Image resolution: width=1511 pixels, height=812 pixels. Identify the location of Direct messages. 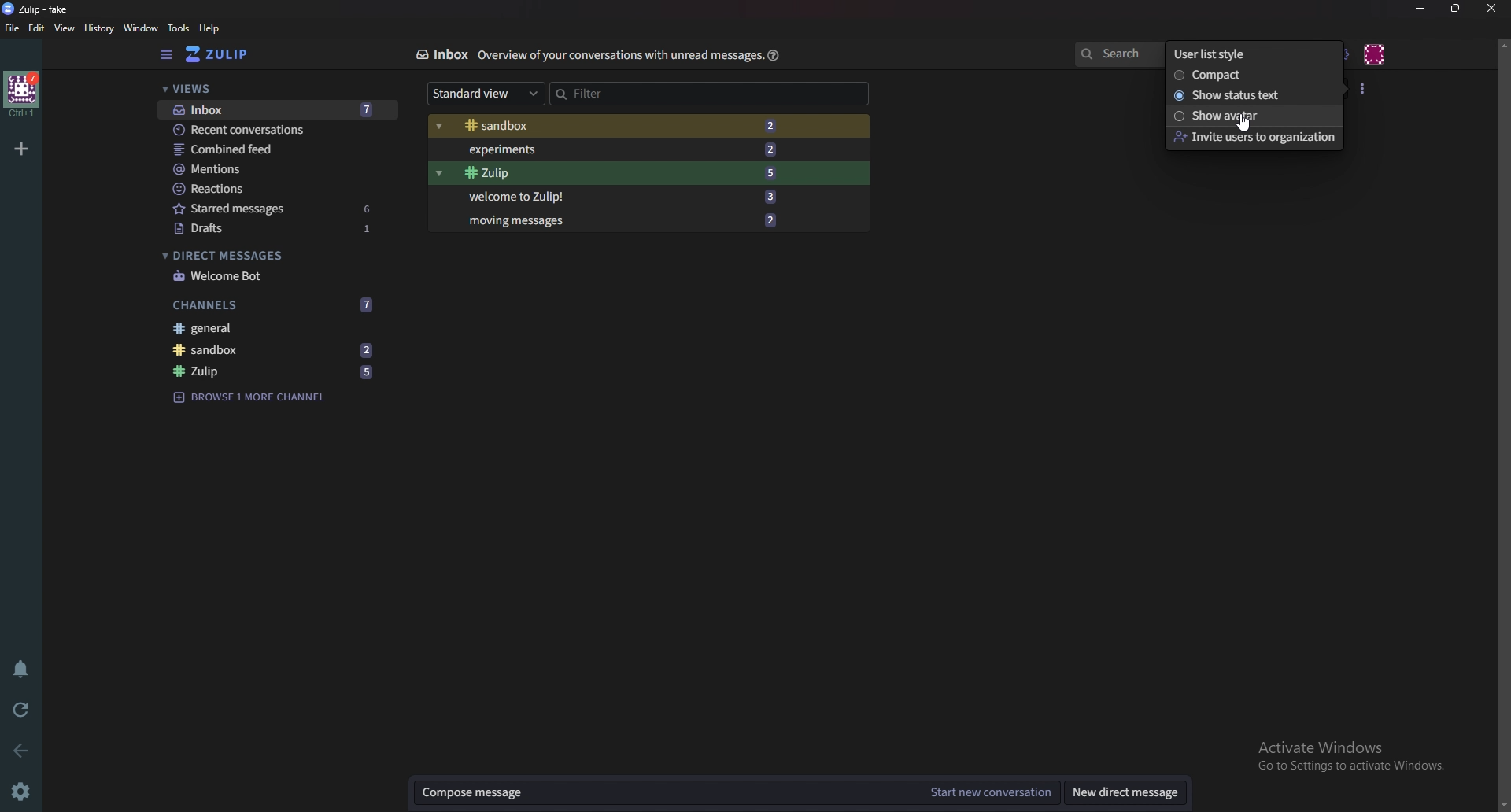
(270, 254).